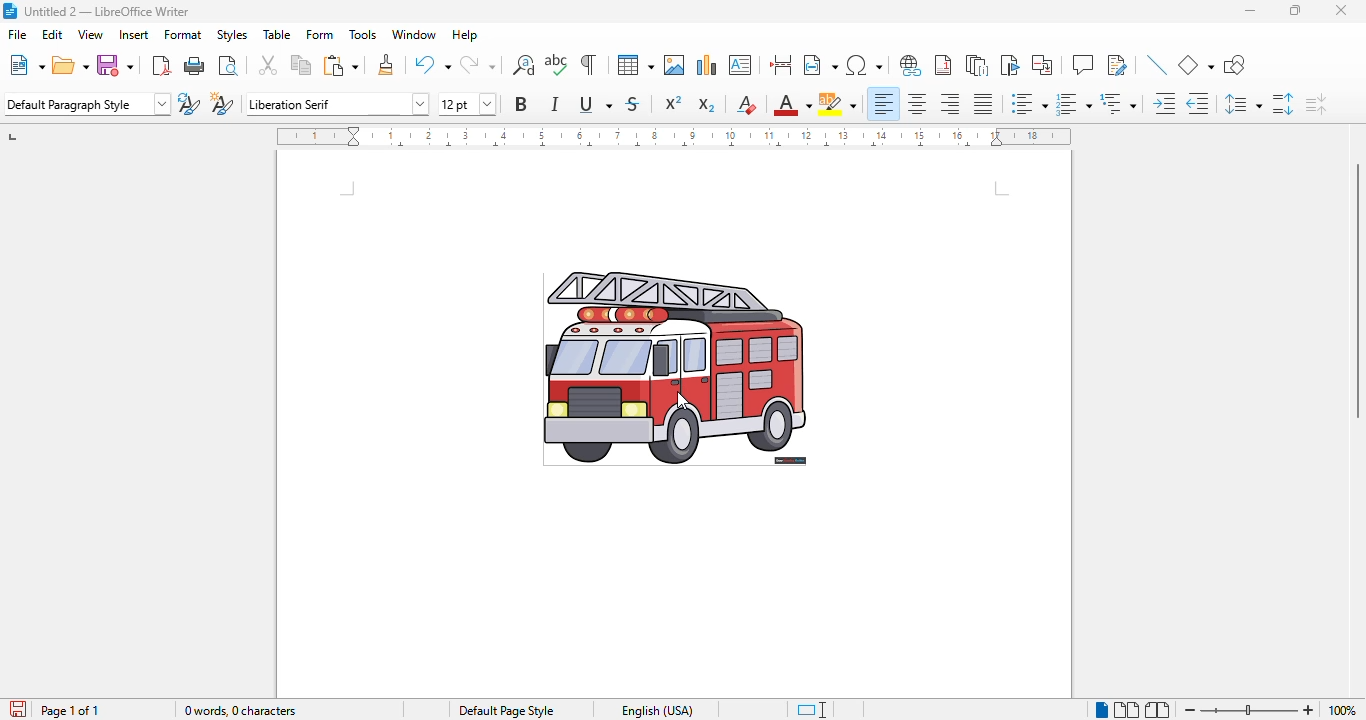  I want to click on align right, so click(950, 104).